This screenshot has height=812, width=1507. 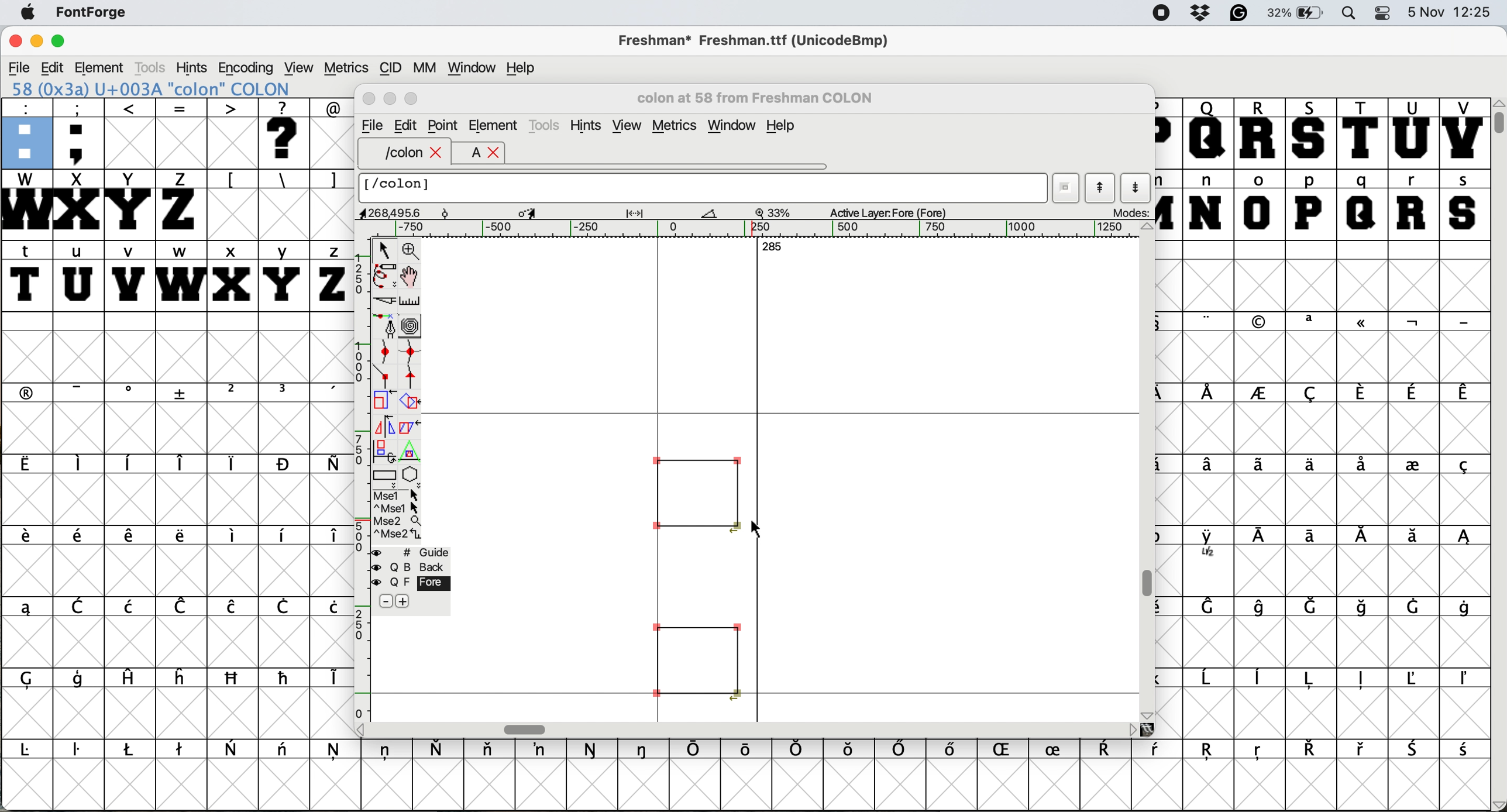 What do you see at coordinates (1264, 538) in the screenshot?
I see `symbol` at bounding box center [1264, 538].